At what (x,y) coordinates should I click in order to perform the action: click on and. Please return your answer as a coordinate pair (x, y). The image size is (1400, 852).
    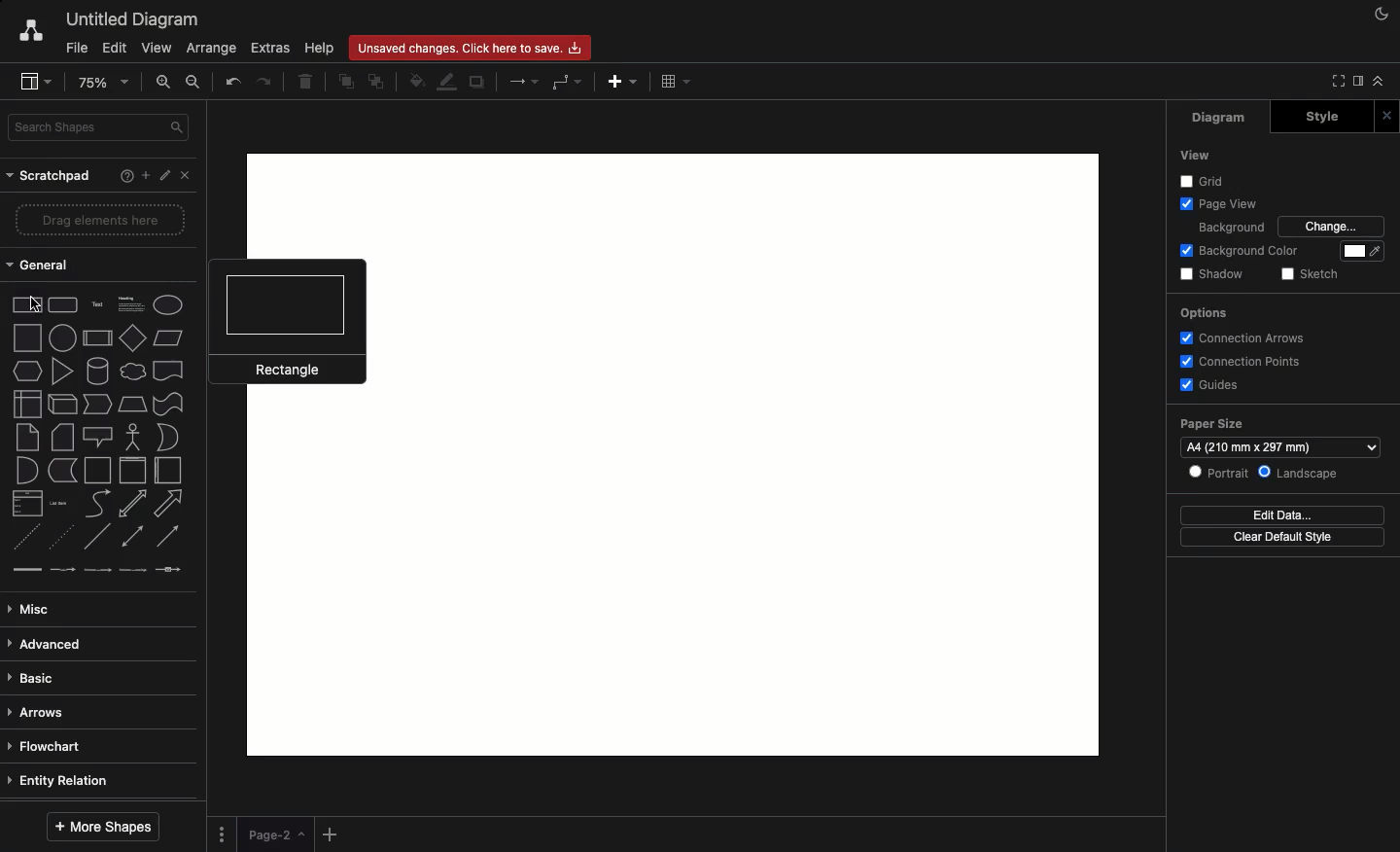
    Looking at the image, I should click on (26, 470).